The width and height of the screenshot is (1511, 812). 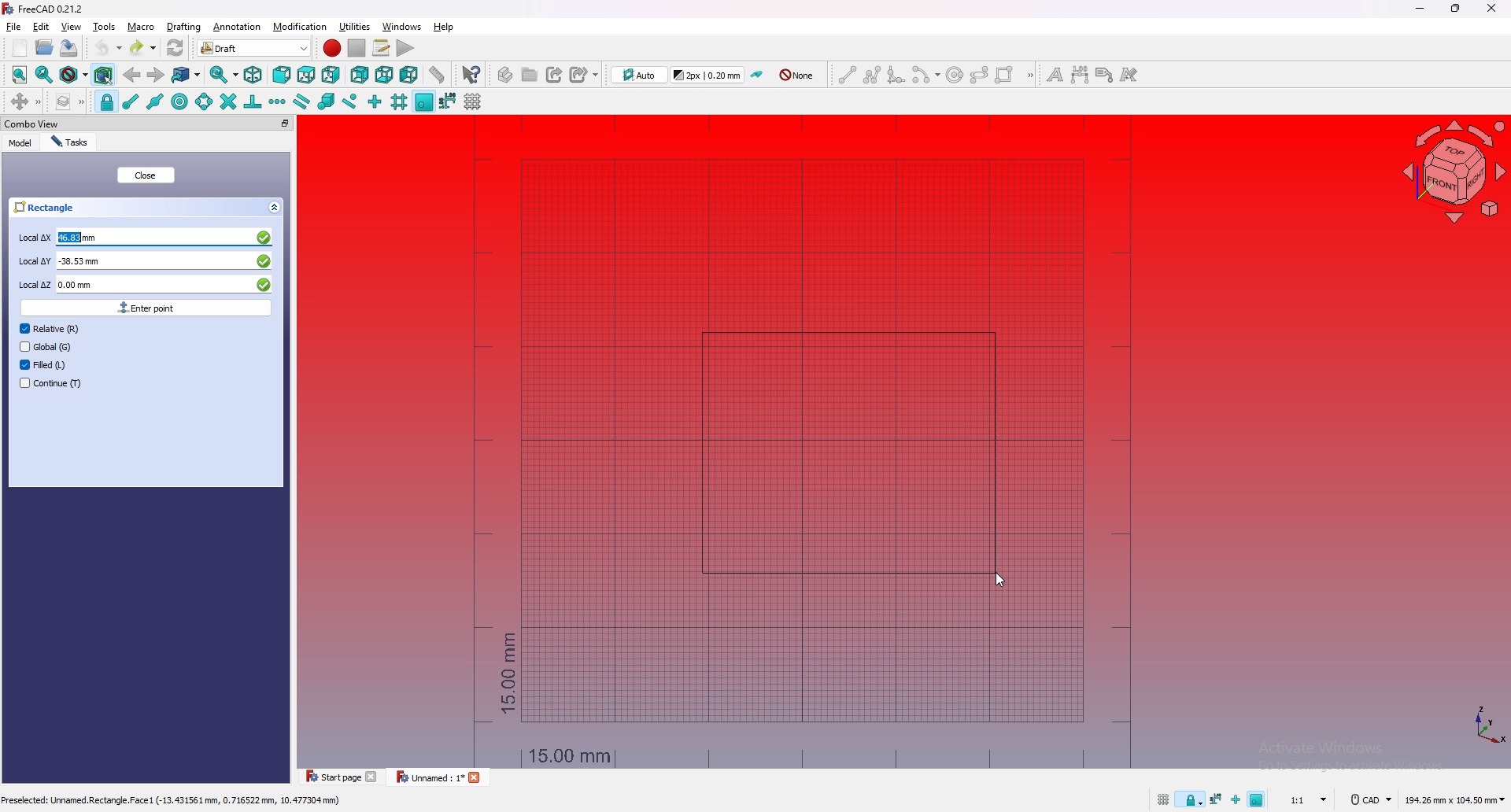 What do you see at coordinates (130, 102) in the screenshot?
I see `snap endpoint` at bounding box center [130, 102].